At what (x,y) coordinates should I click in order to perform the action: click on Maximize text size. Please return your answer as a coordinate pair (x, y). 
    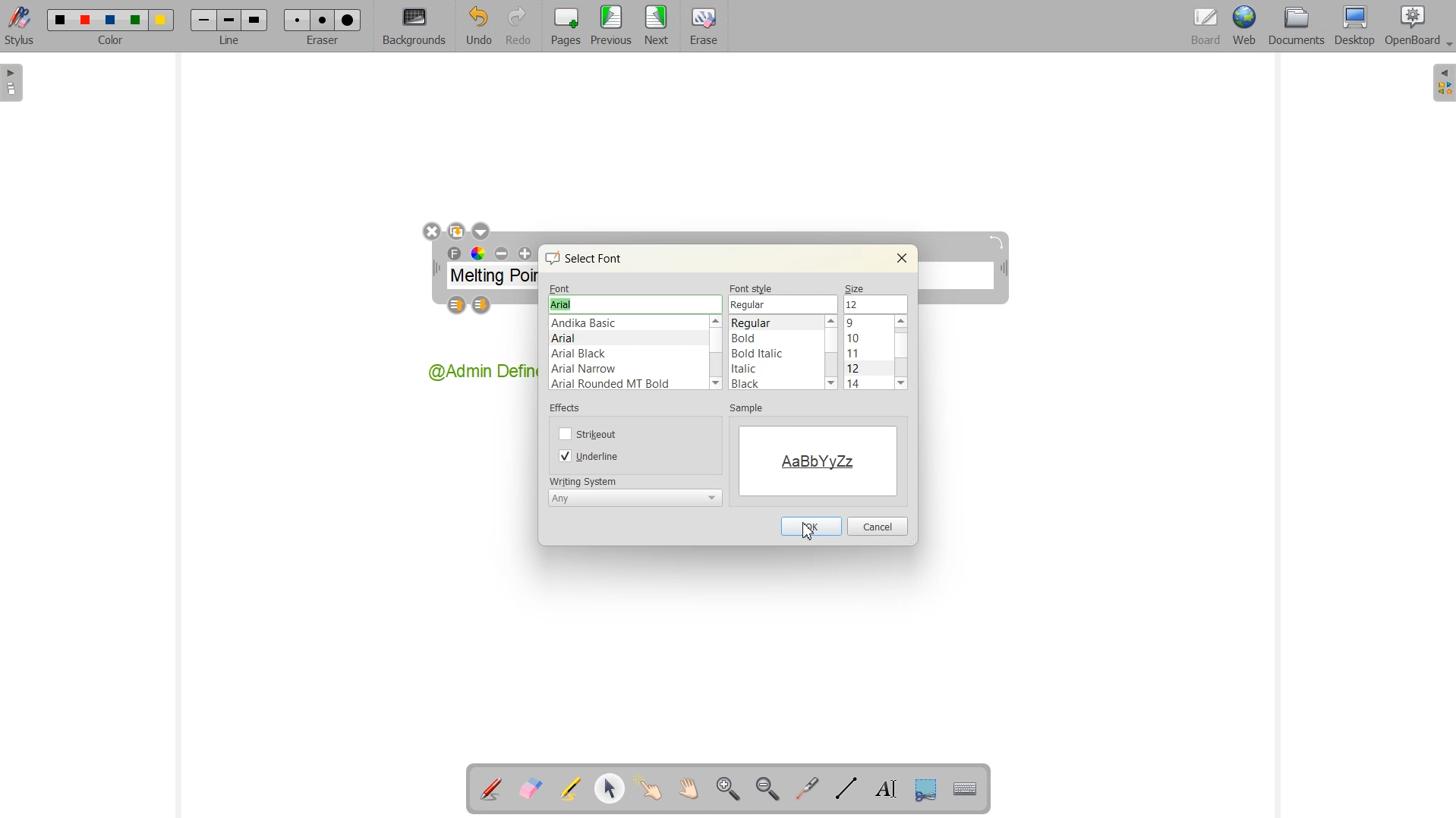
    Looking at the image, I should click on (525, 254).